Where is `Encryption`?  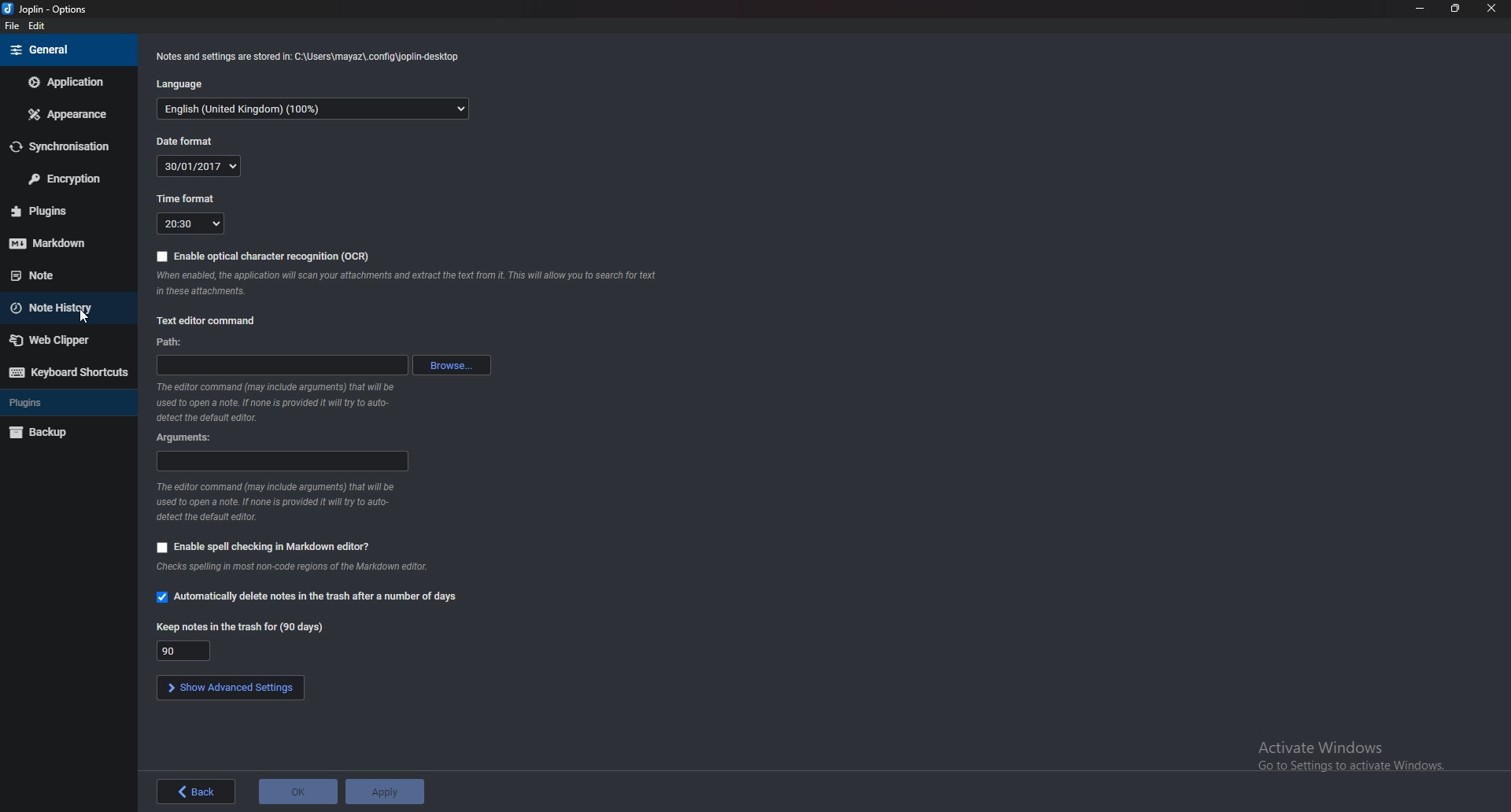
Encryption is located at coordinates (67, 179).